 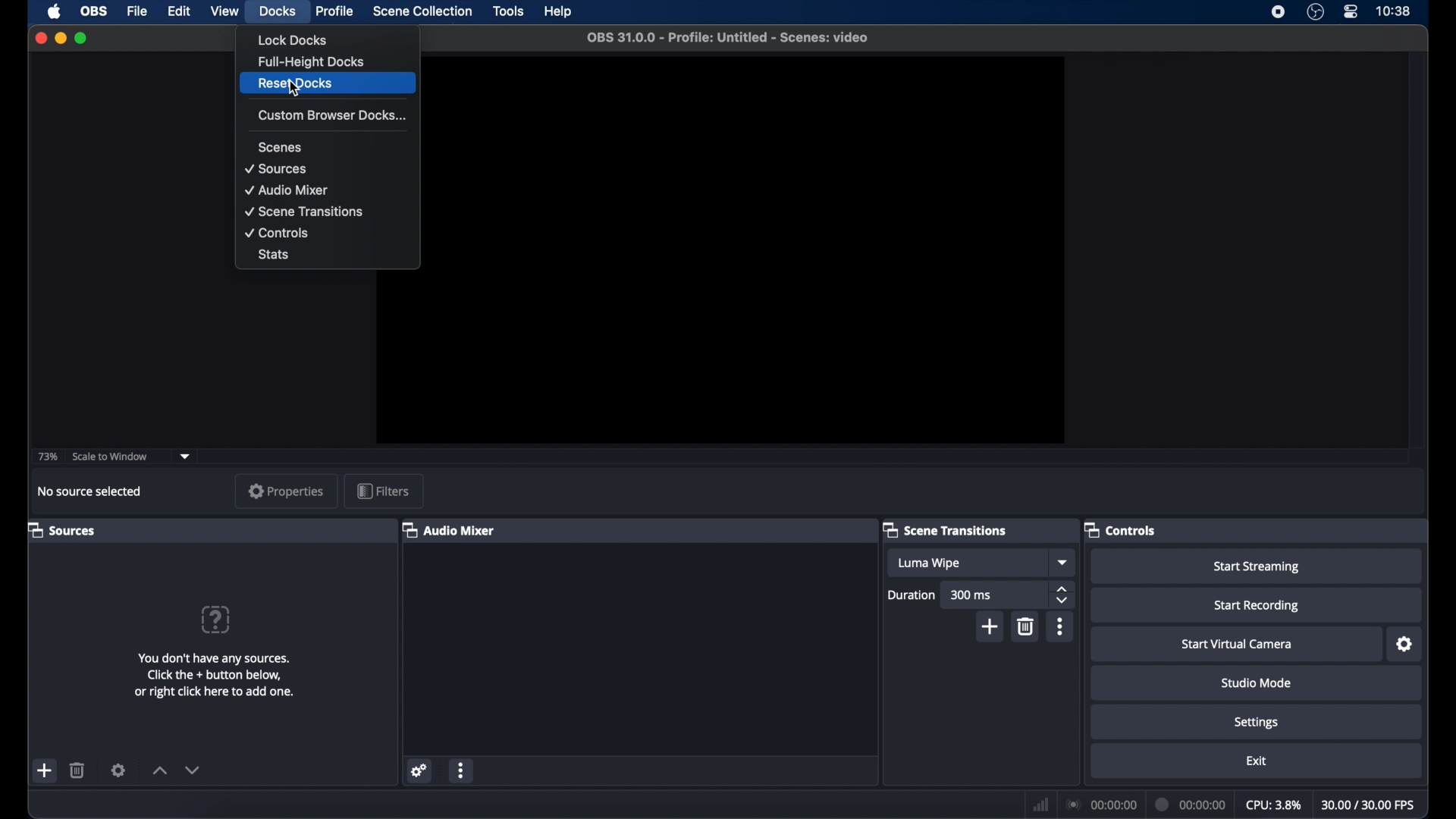 I want to click on controls, so click(x=281, y=233).